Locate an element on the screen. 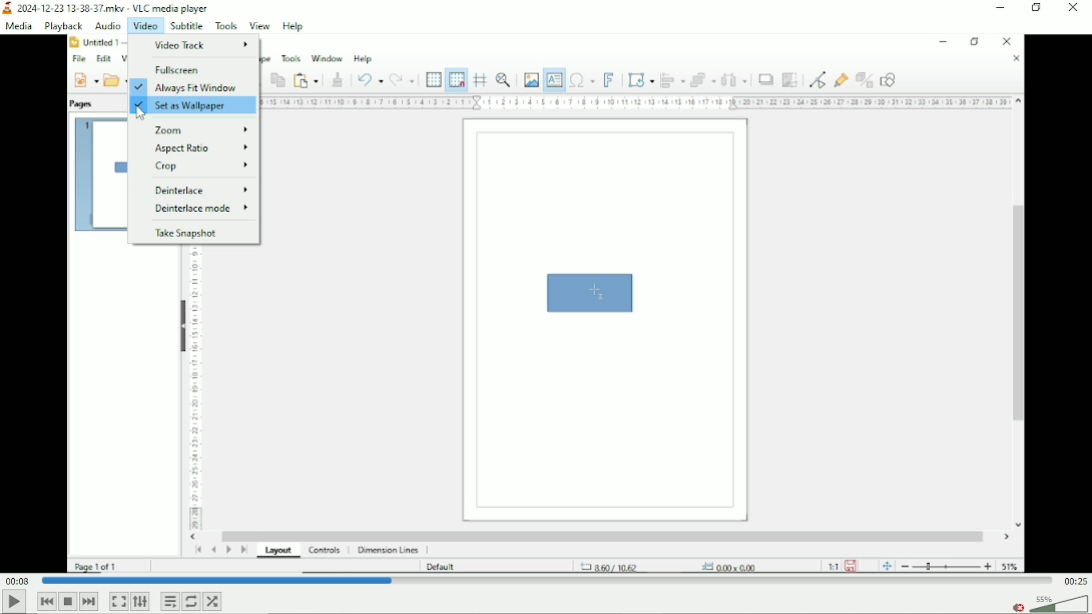 This screenshot has height=614, width=1092. Fullscreen is located at coordinates (179, 69).